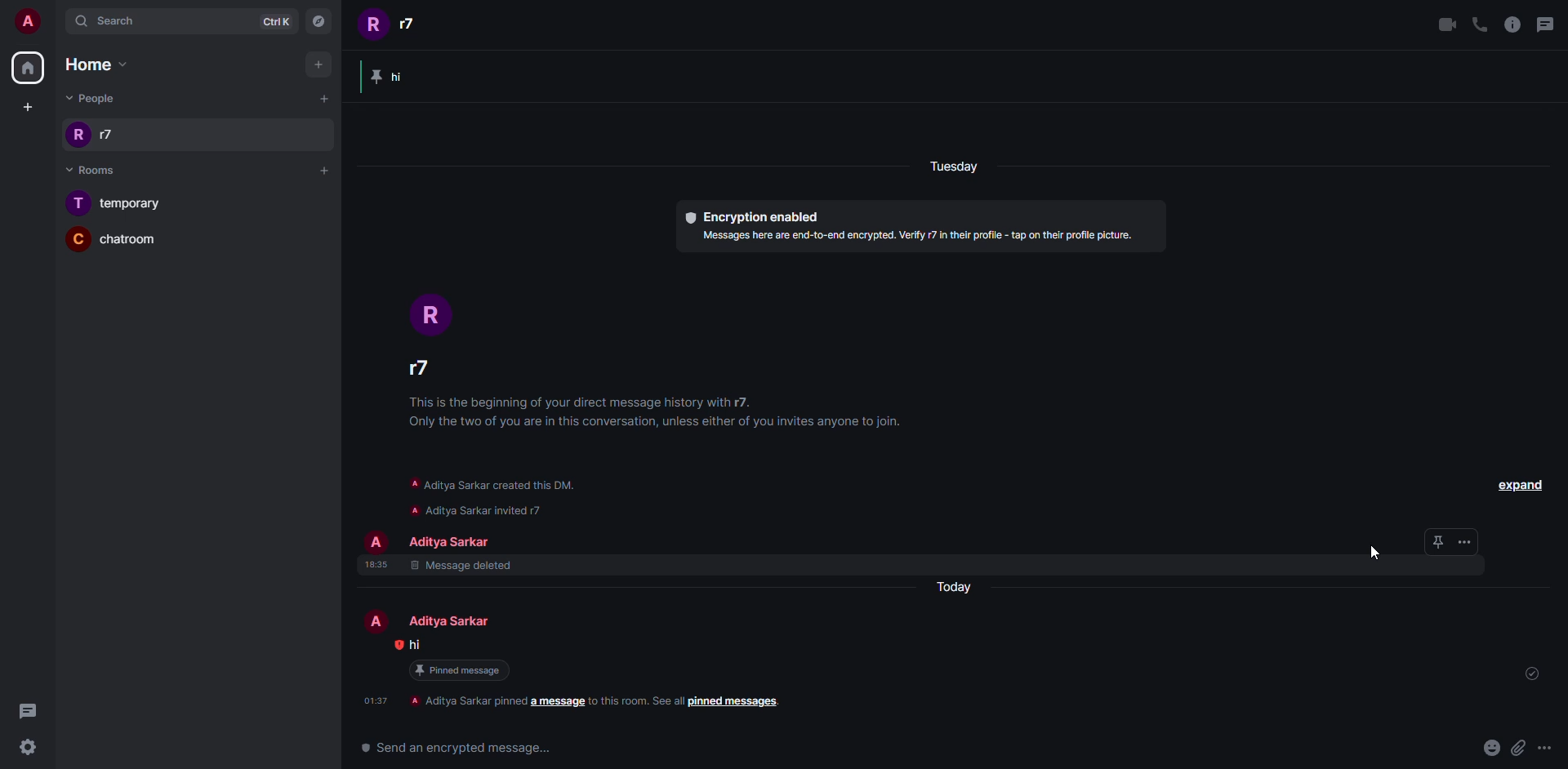 This screenshot has height=769, width=1568. I want to click on Pin, so click(1451, 543).